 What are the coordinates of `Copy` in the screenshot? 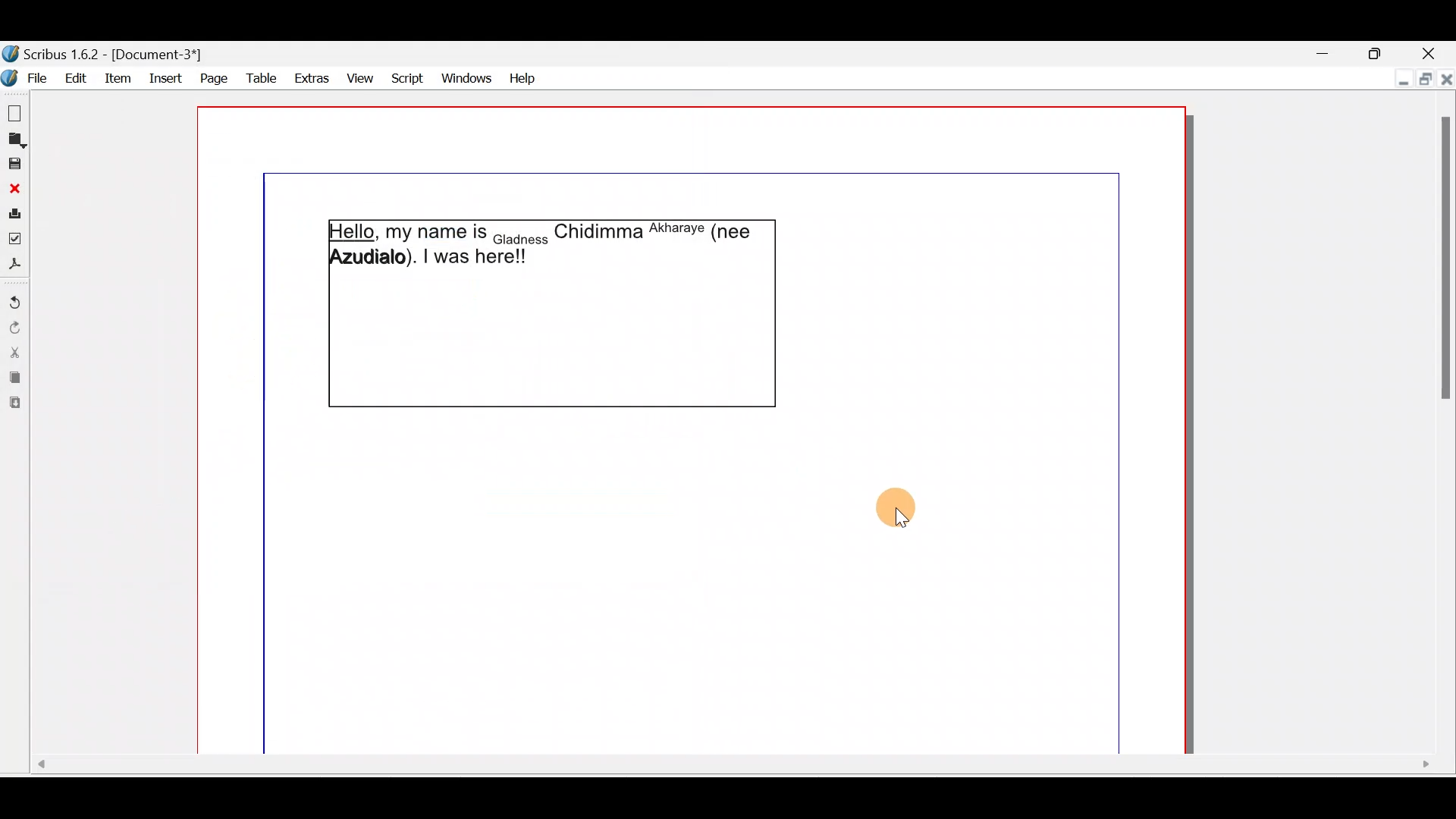 It's located at (14, 380).